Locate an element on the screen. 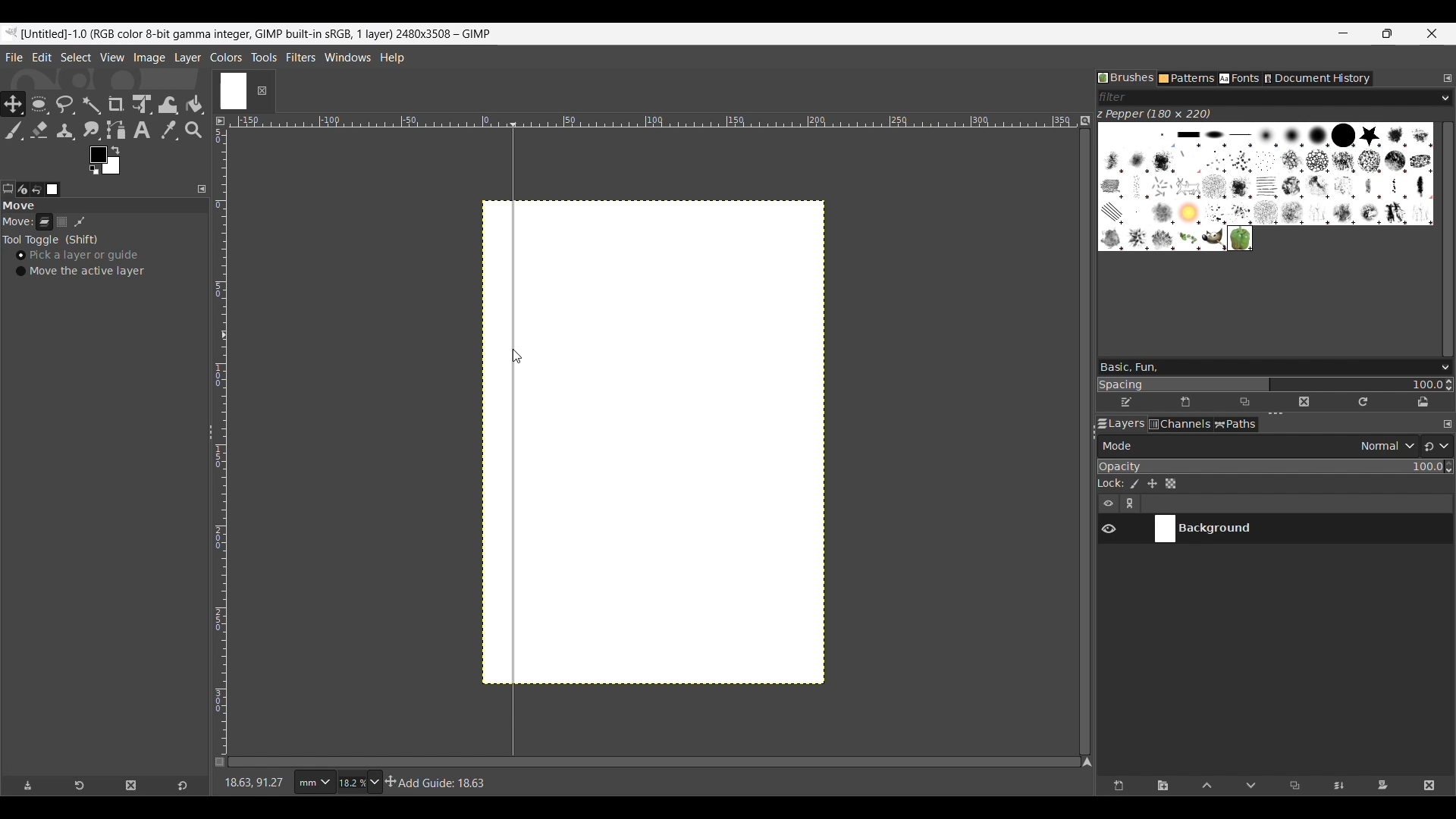  Description of current selection is located at coordinates (439, 783).